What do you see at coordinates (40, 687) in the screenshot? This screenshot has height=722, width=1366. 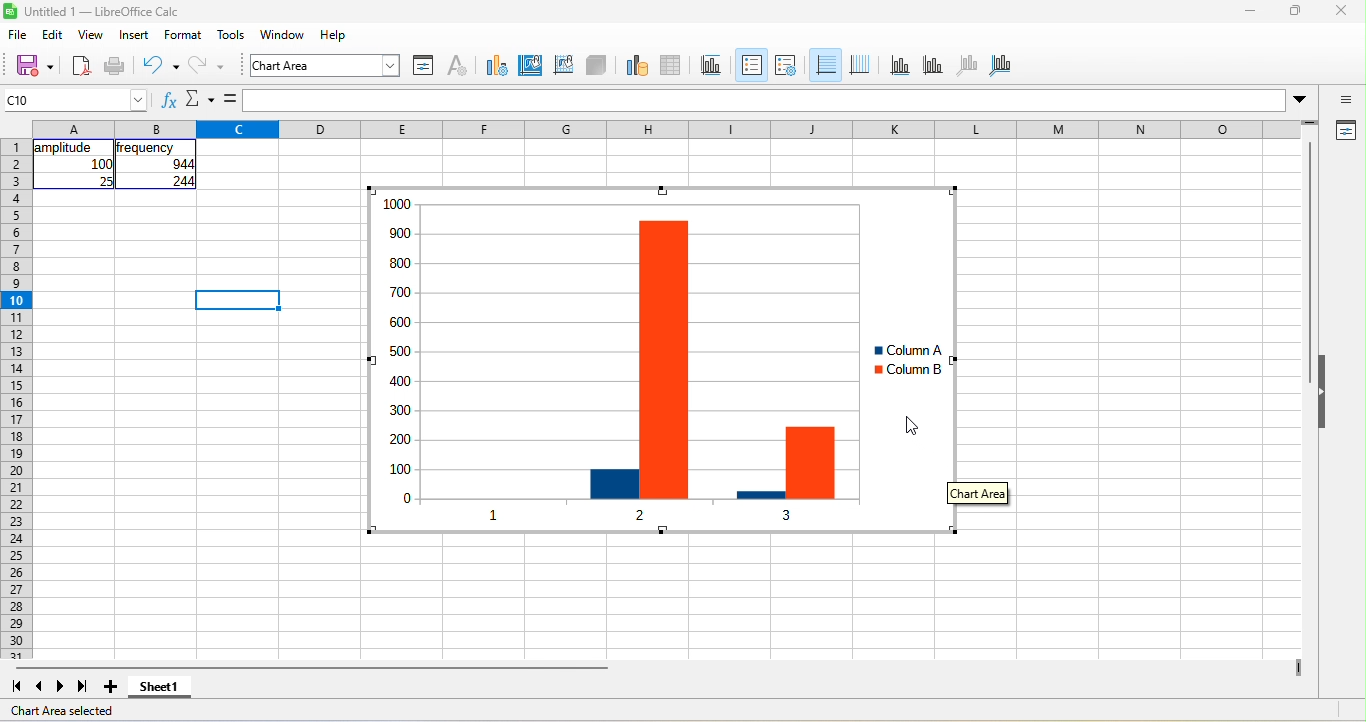 I see `previous sheet` at bounding box center [40, 687].